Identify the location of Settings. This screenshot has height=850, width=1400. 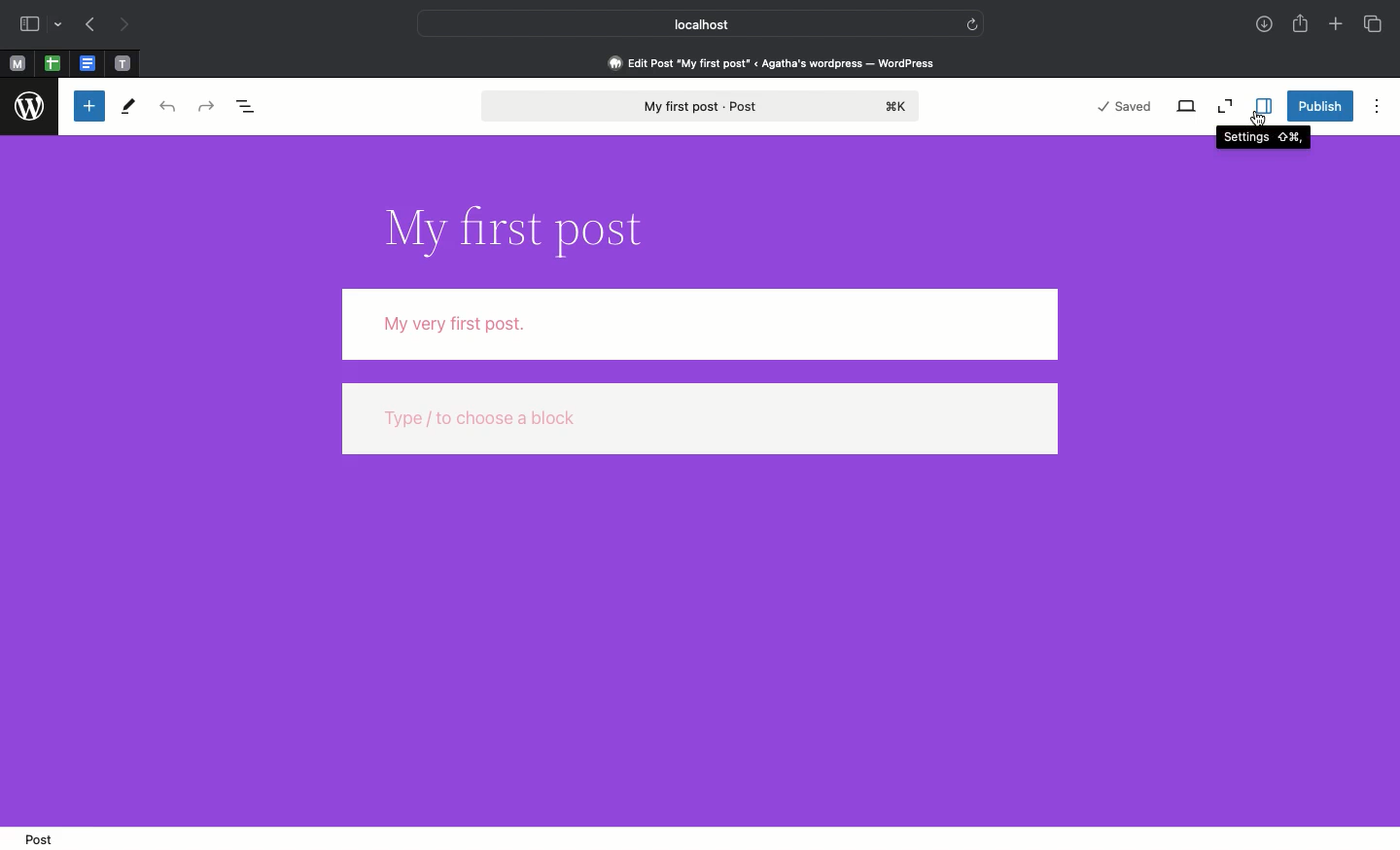
(1265, 106).